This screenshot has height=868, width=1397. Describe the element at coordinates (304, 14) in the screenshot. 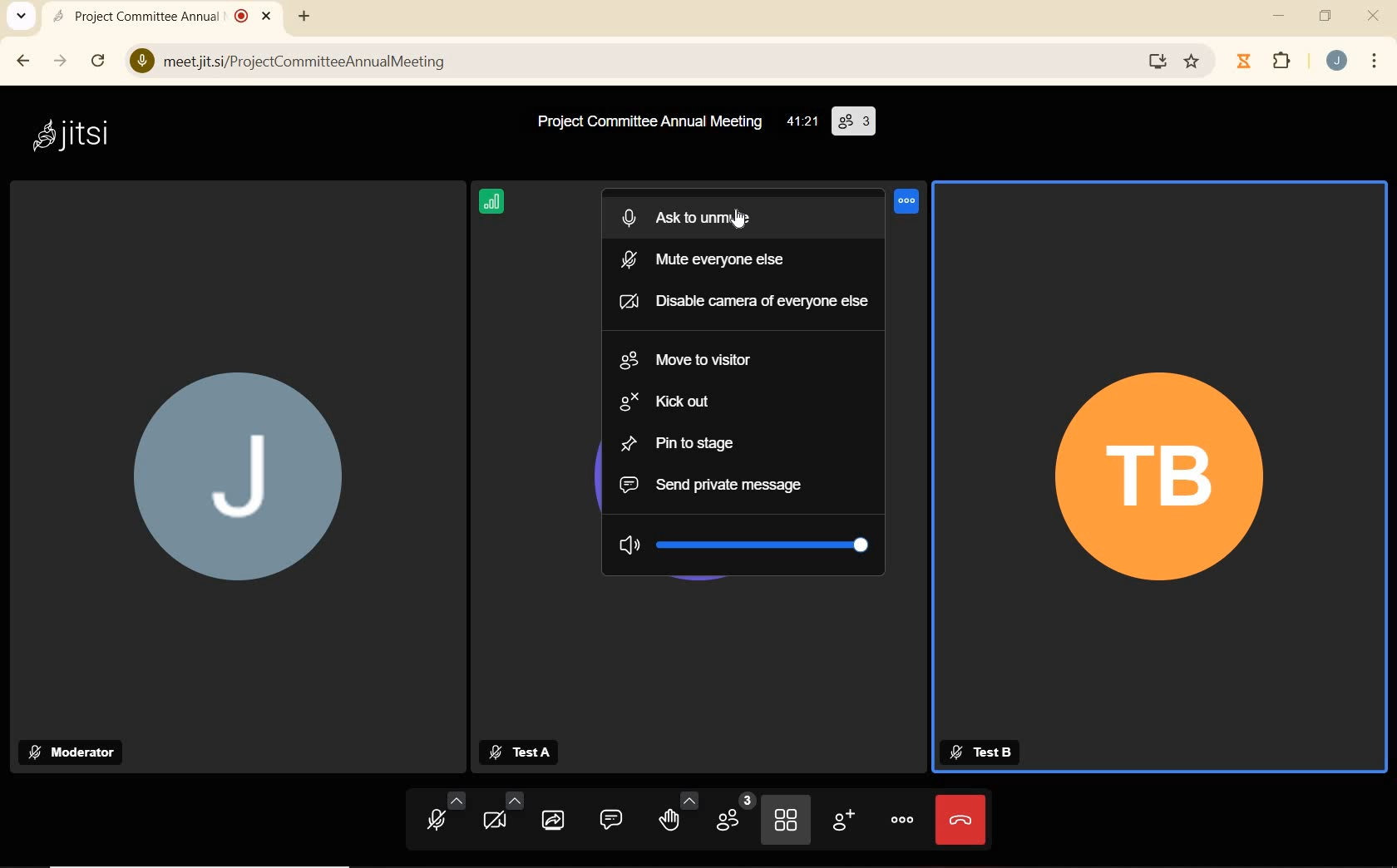

I see `ADD NEW TAB` at that location.